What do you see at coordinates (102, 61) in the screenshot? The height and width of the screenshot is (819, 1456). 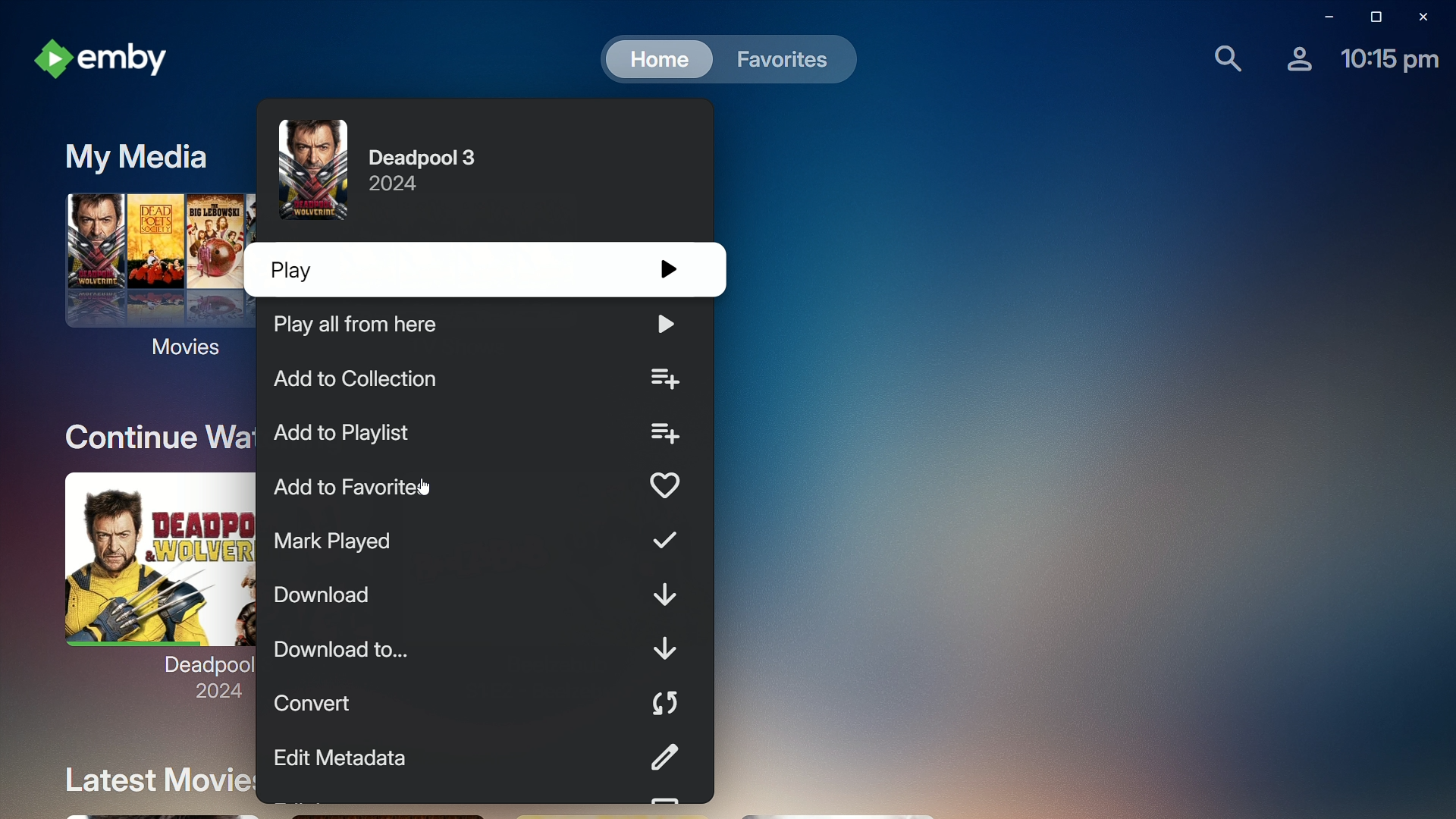 I see `emby` at bounding box center [102, 61].